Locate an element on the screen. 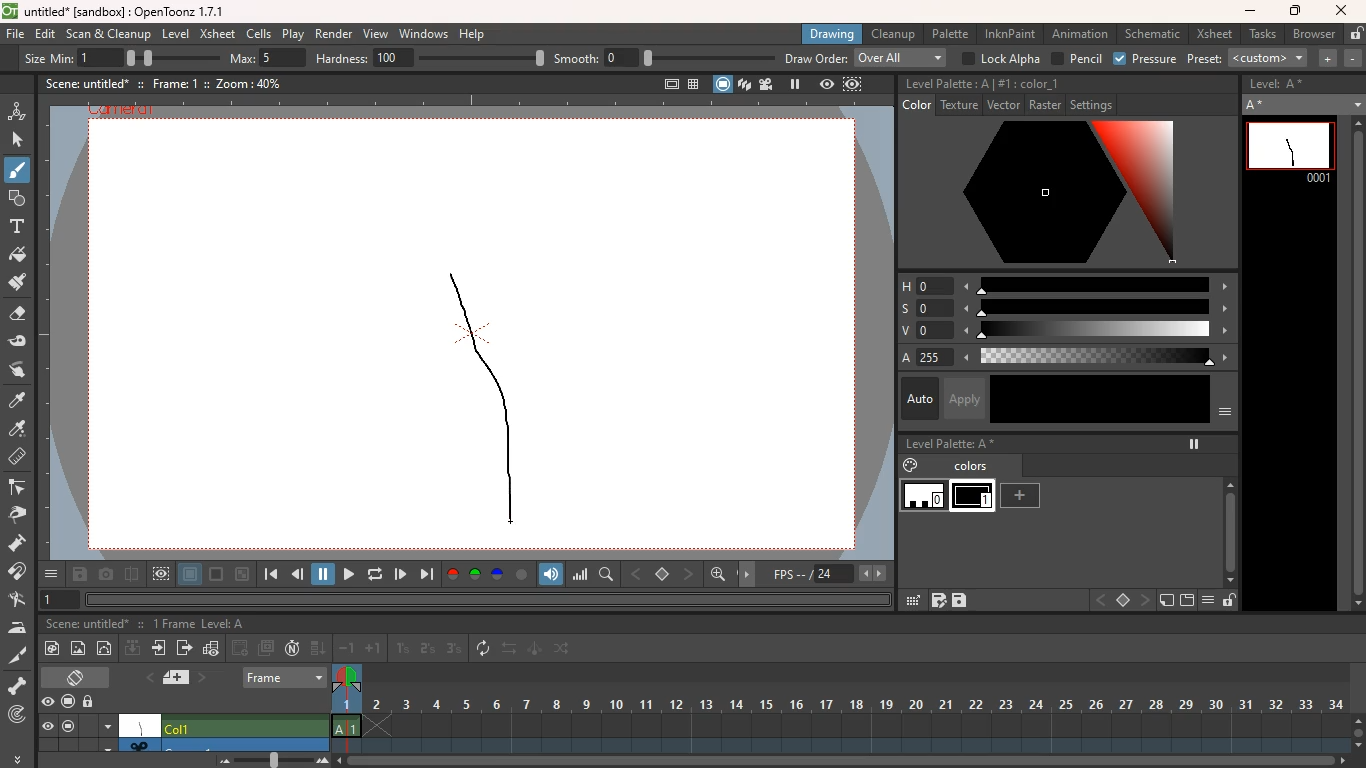 Image resolution: width=1366 pixels, height=768 pixels. edit is located at coordinates (23, 342).